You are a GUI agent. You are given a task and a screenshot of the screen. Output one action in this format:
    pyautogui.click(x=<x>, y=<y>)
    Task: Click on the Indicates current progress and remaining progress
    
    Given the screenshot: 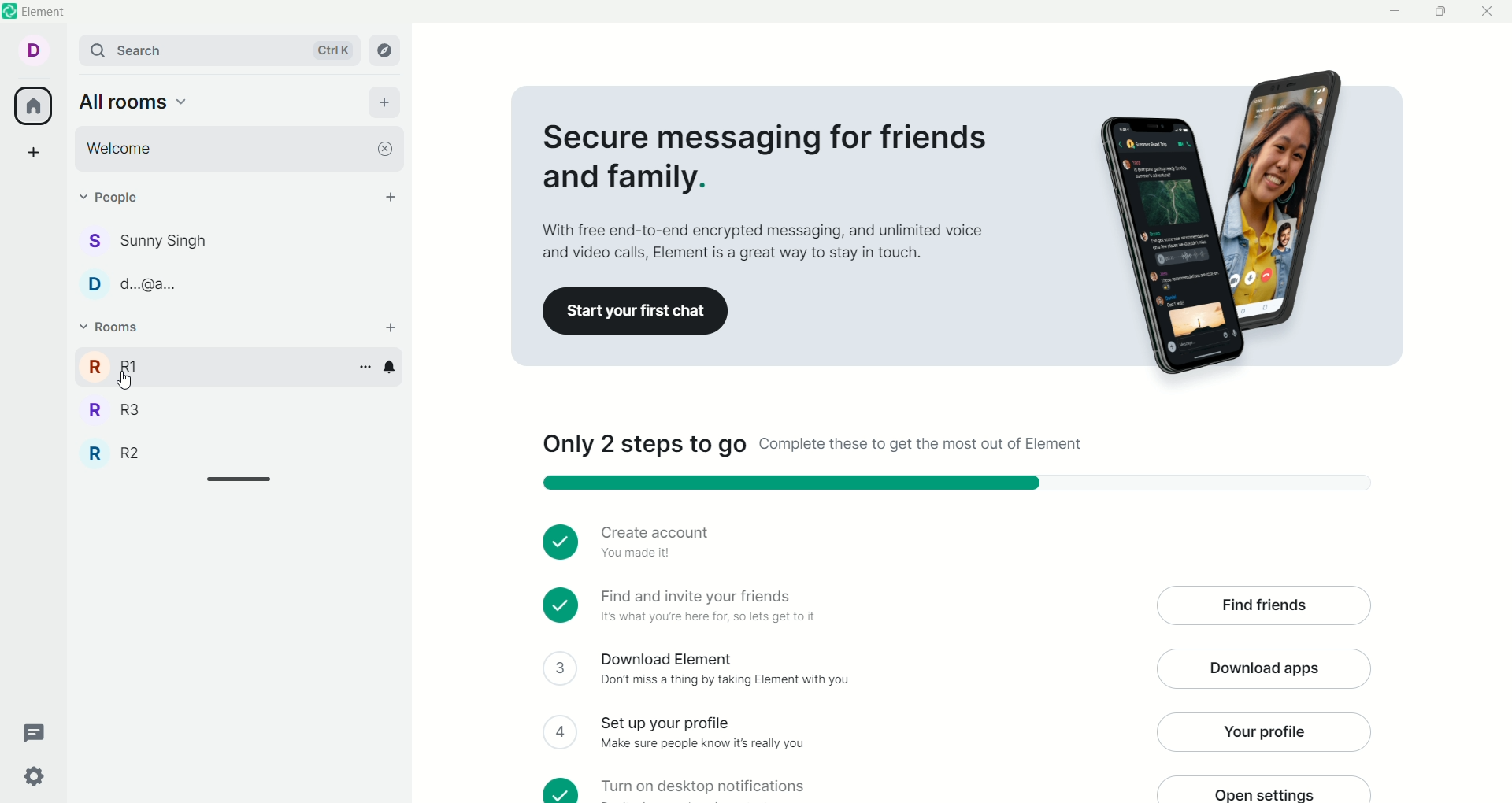 What is the action you would take?
    pyautogui.click(x=958, y=483)
    